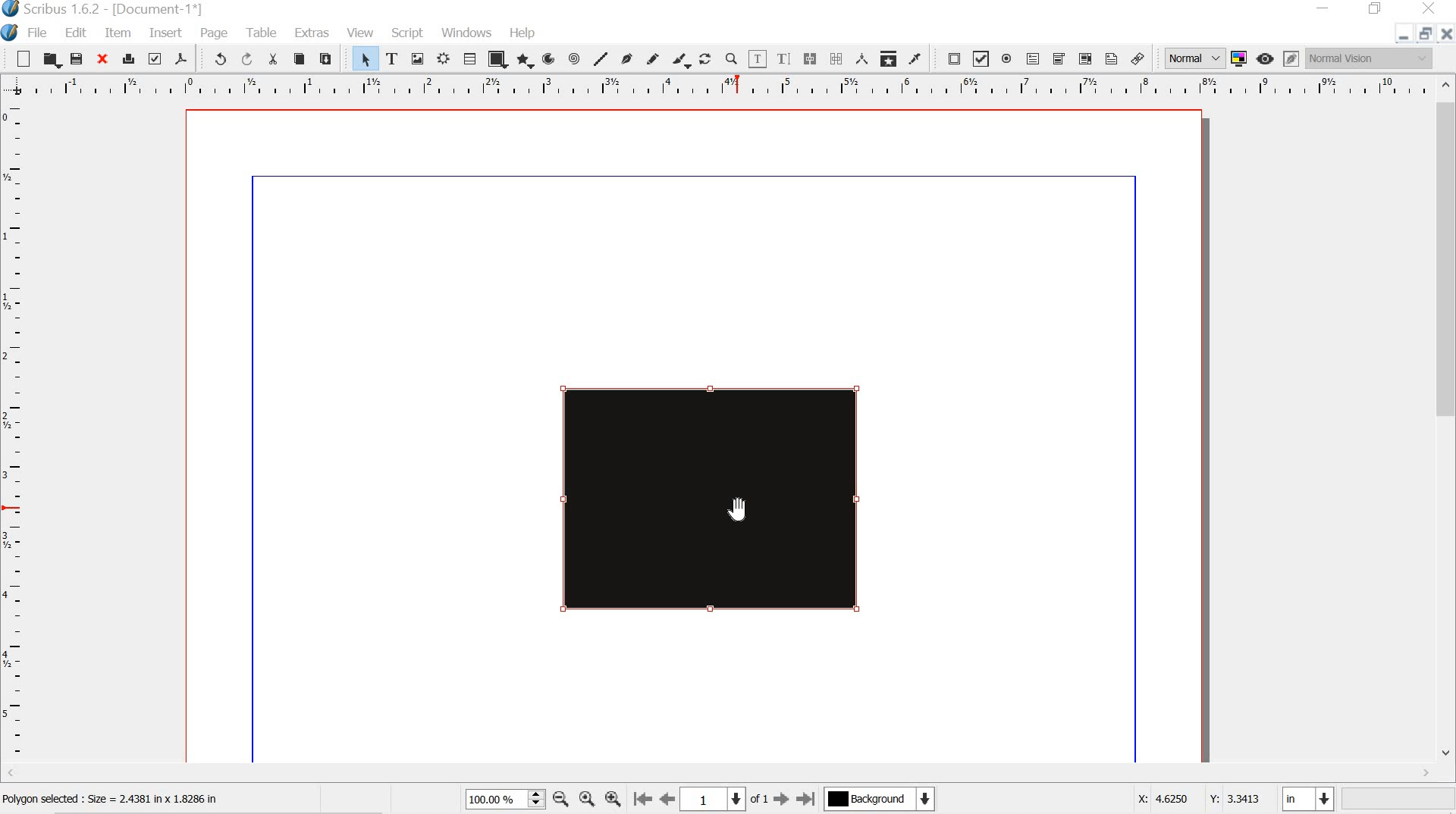  I want to click on pdf list box, so click(1084, 58).